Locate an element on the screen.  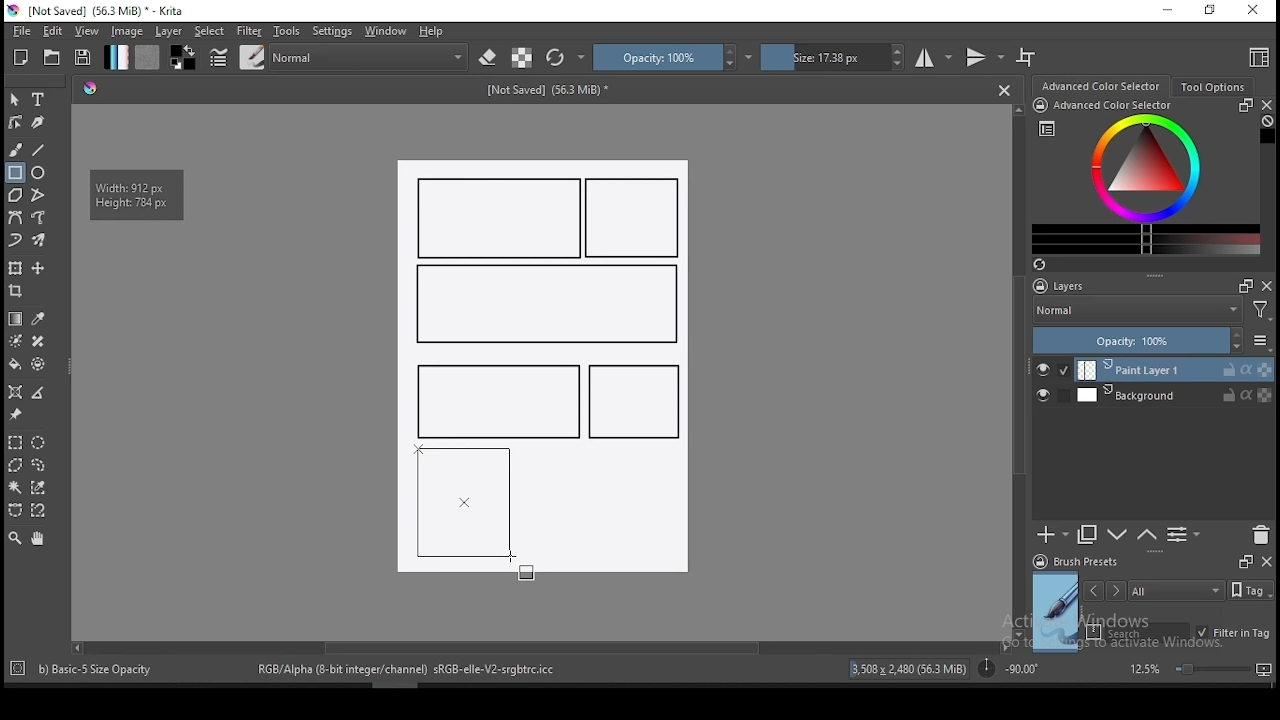
transform a layer or a selection is located at coordinates (15, 267).